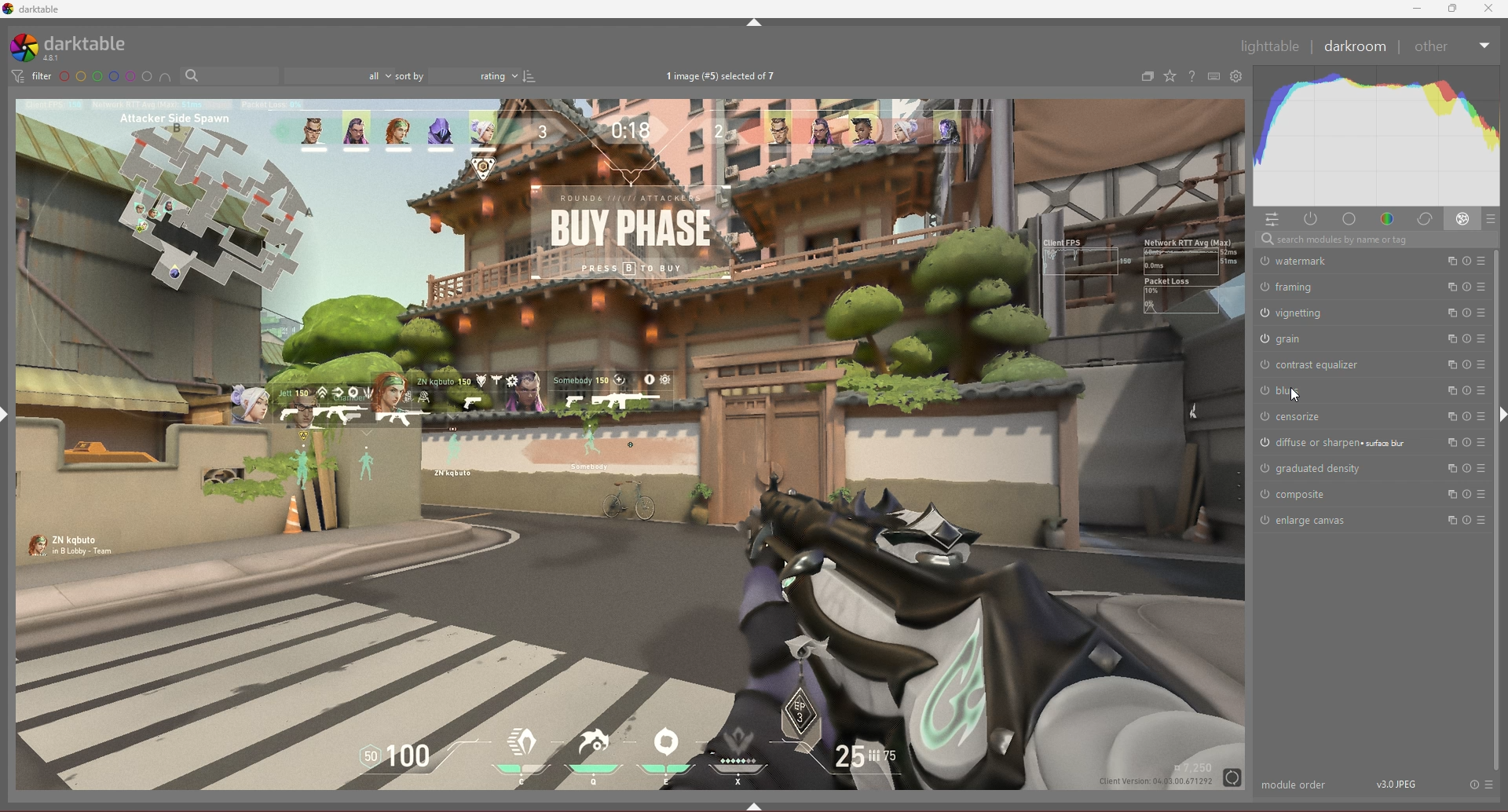 The height and width of the screenshot is (812, 1508). I want to click on search, so click(1376, 240).